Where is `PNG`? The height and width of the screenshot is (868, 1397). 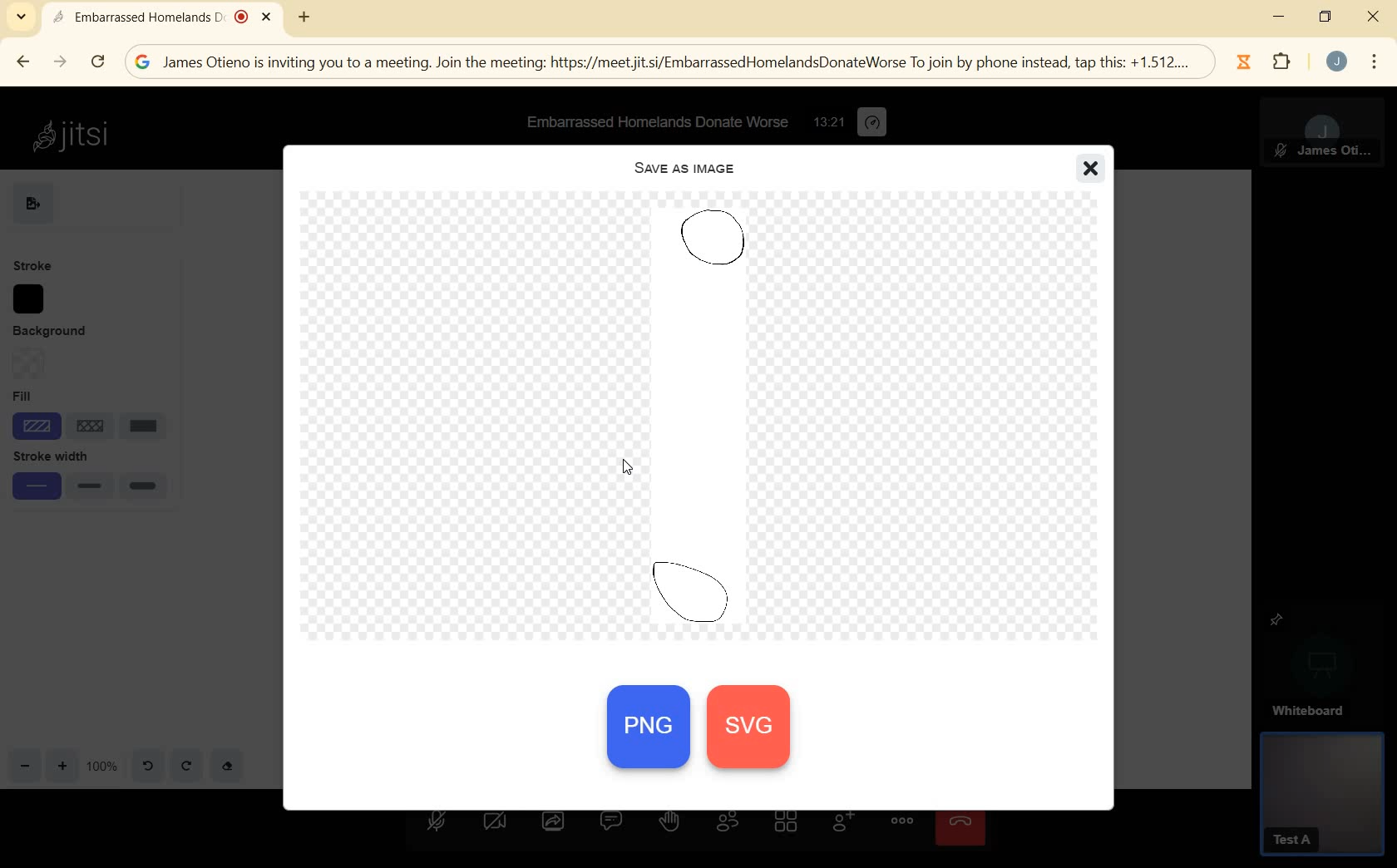 PNG is located at coordinates (649, 732).